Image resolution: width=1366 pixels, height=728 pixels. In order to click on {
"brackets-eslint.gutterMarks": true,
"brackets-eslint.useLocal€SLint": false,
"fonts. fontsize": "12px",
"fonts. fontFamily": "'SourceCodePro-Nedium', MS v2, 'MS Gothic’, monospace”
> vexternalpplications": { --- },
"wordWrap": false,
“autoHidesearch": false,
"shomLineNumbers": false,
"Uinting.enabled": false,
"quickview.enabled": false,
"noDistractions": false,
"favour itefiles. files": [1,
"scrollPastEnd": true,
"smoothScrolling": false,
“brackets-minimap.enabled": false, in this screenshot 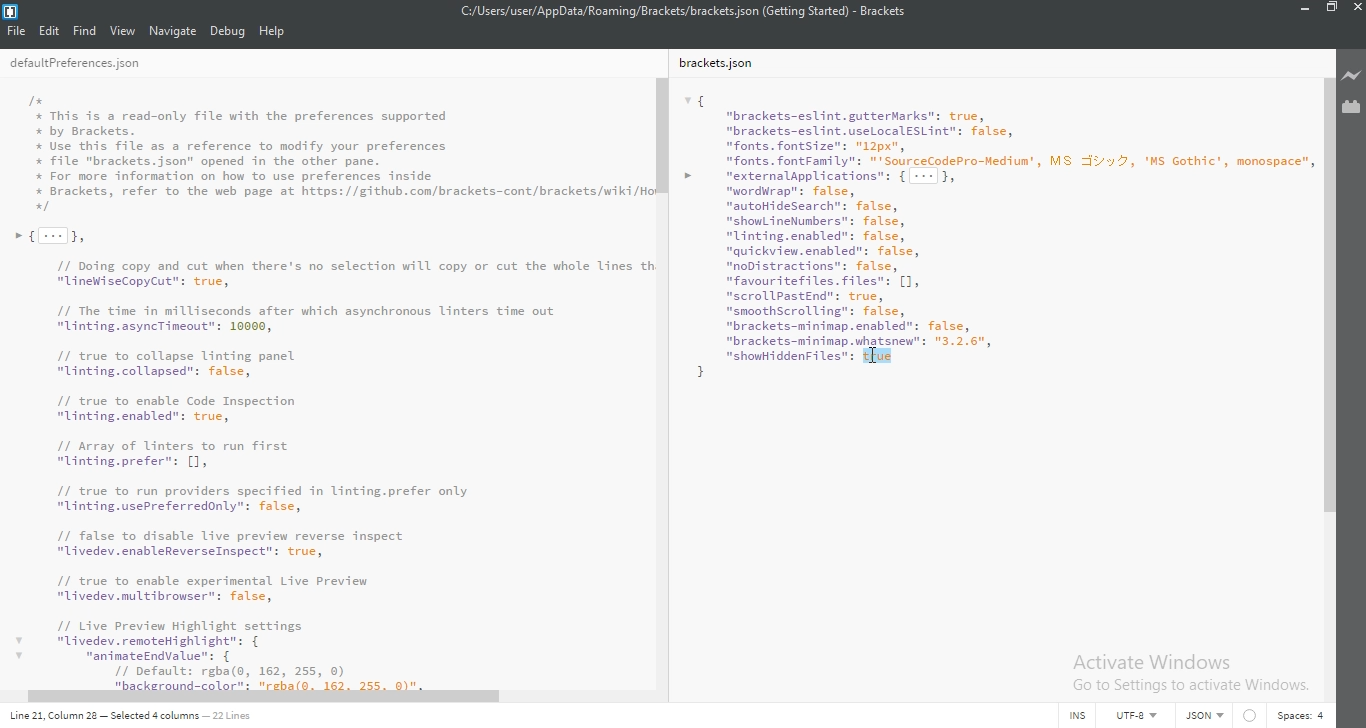, I will do `click(992, 234)`.